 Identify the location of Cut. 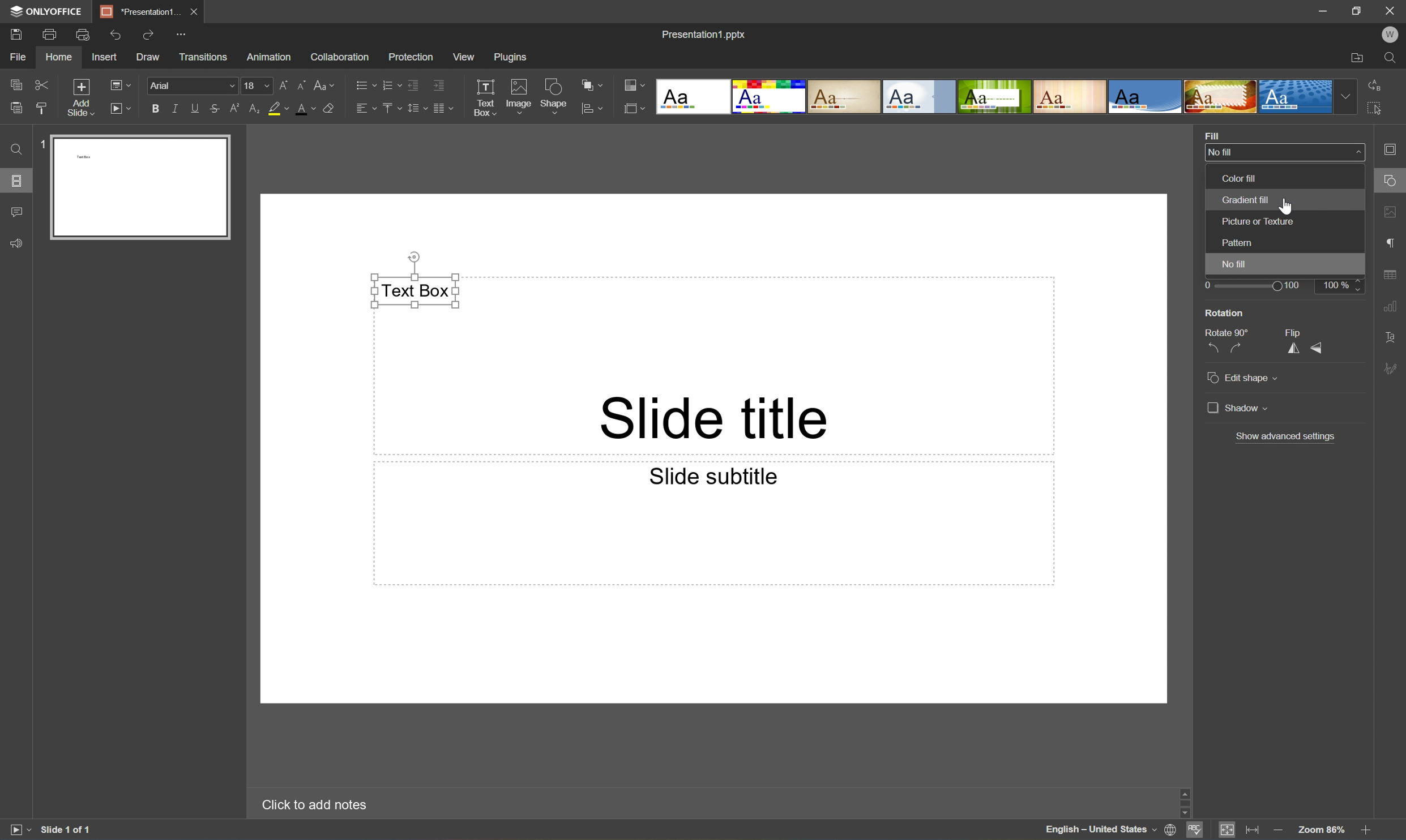
(43, 84).